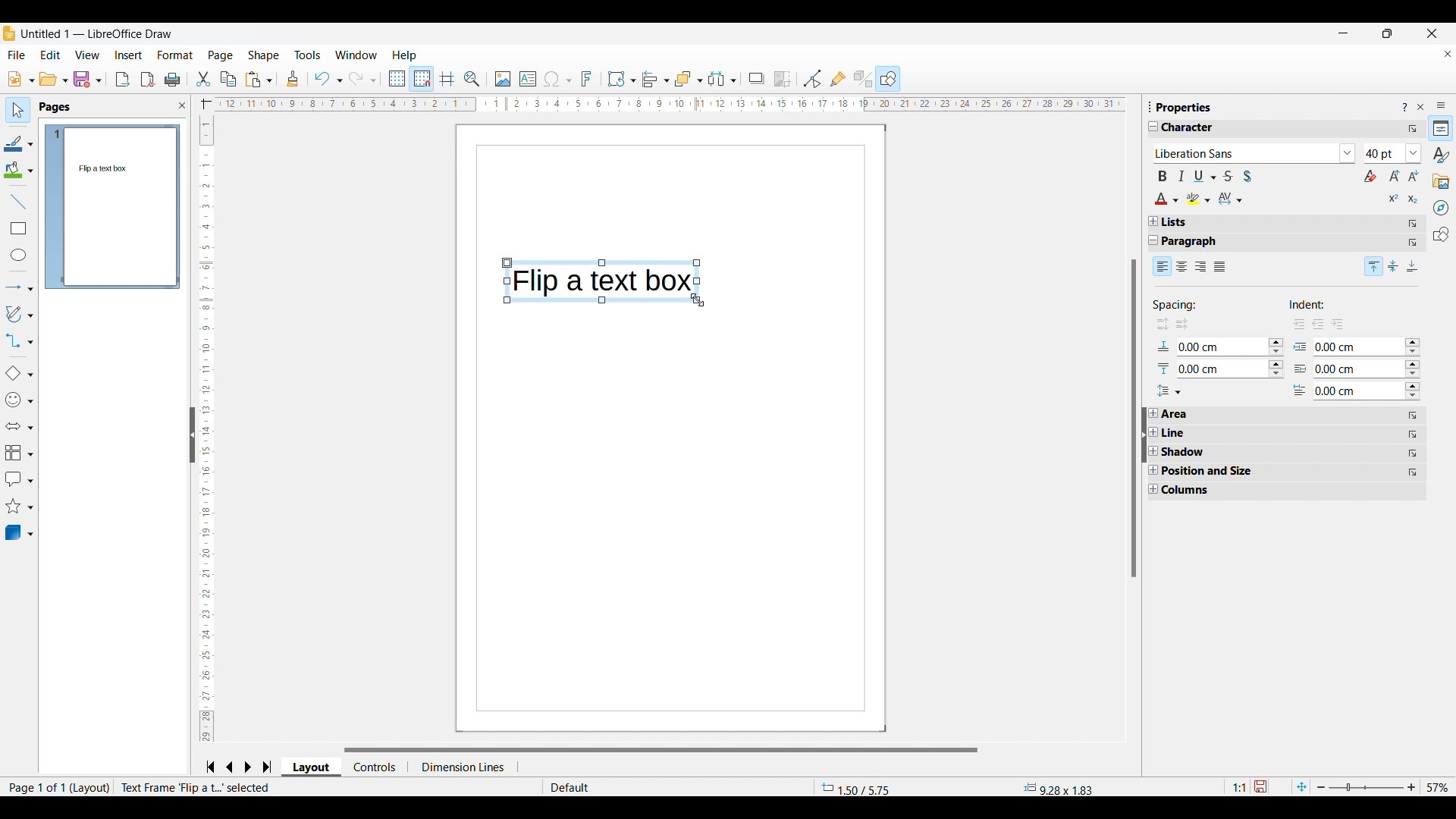 The height and width of the screenshot is (819, 1456). Describe the element at coordinates (1344, 33) in the screenshot. I see `Minimize` at that location.